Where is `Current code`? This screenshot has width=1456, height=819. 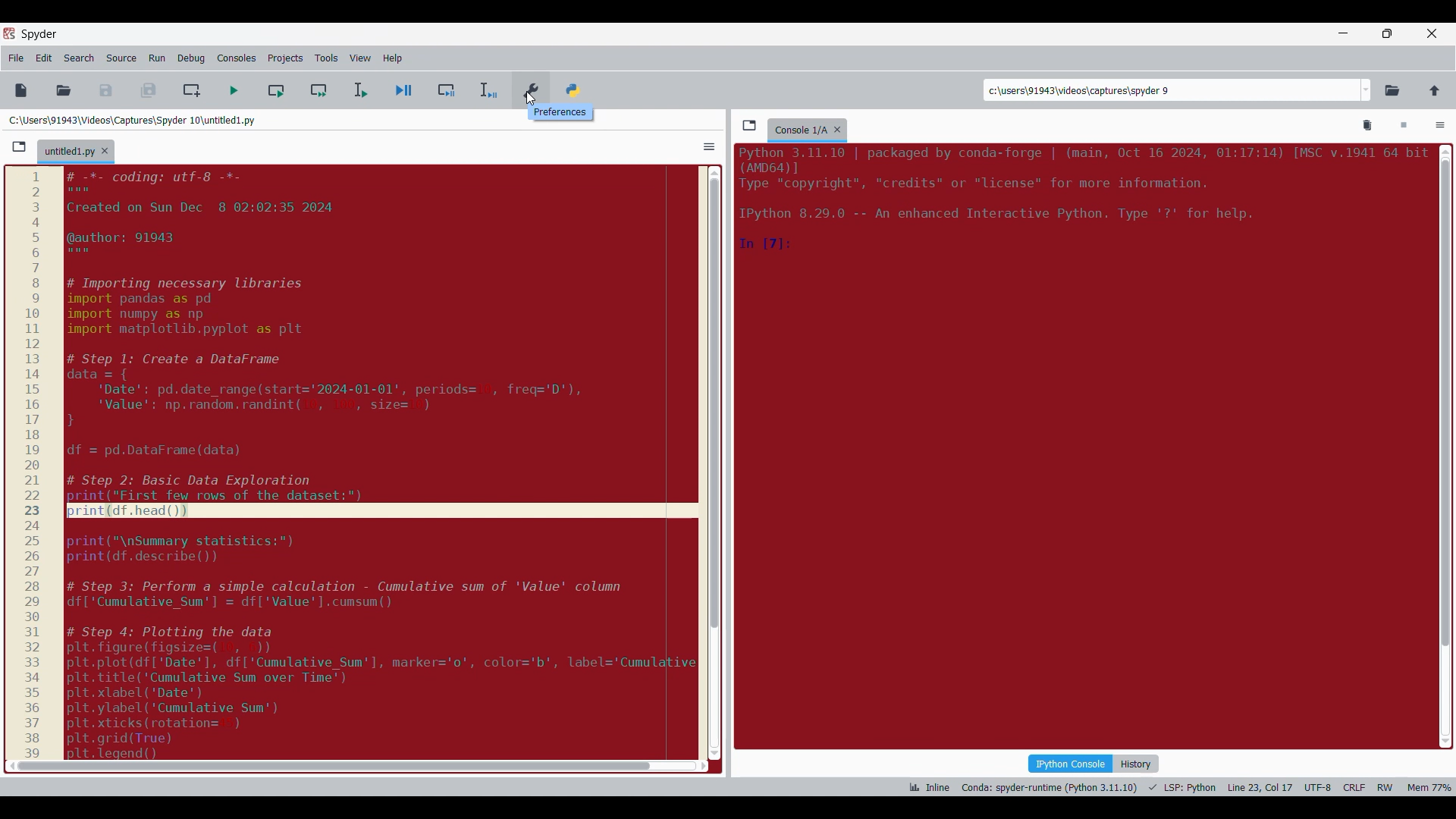
Current code is located at coordinates (357, 465).